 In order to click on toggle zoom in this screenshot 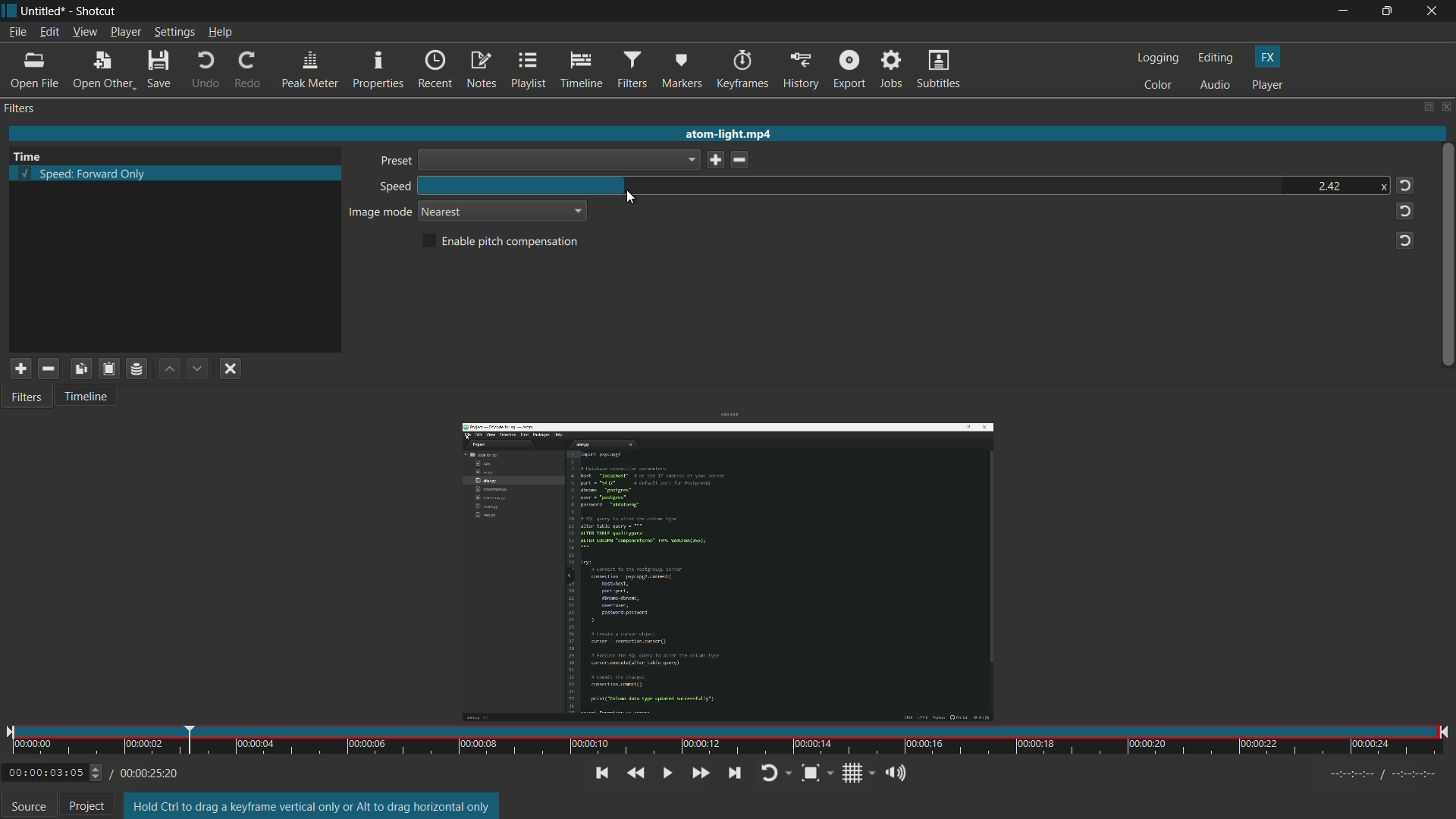, I will do `click(814, 773)`.